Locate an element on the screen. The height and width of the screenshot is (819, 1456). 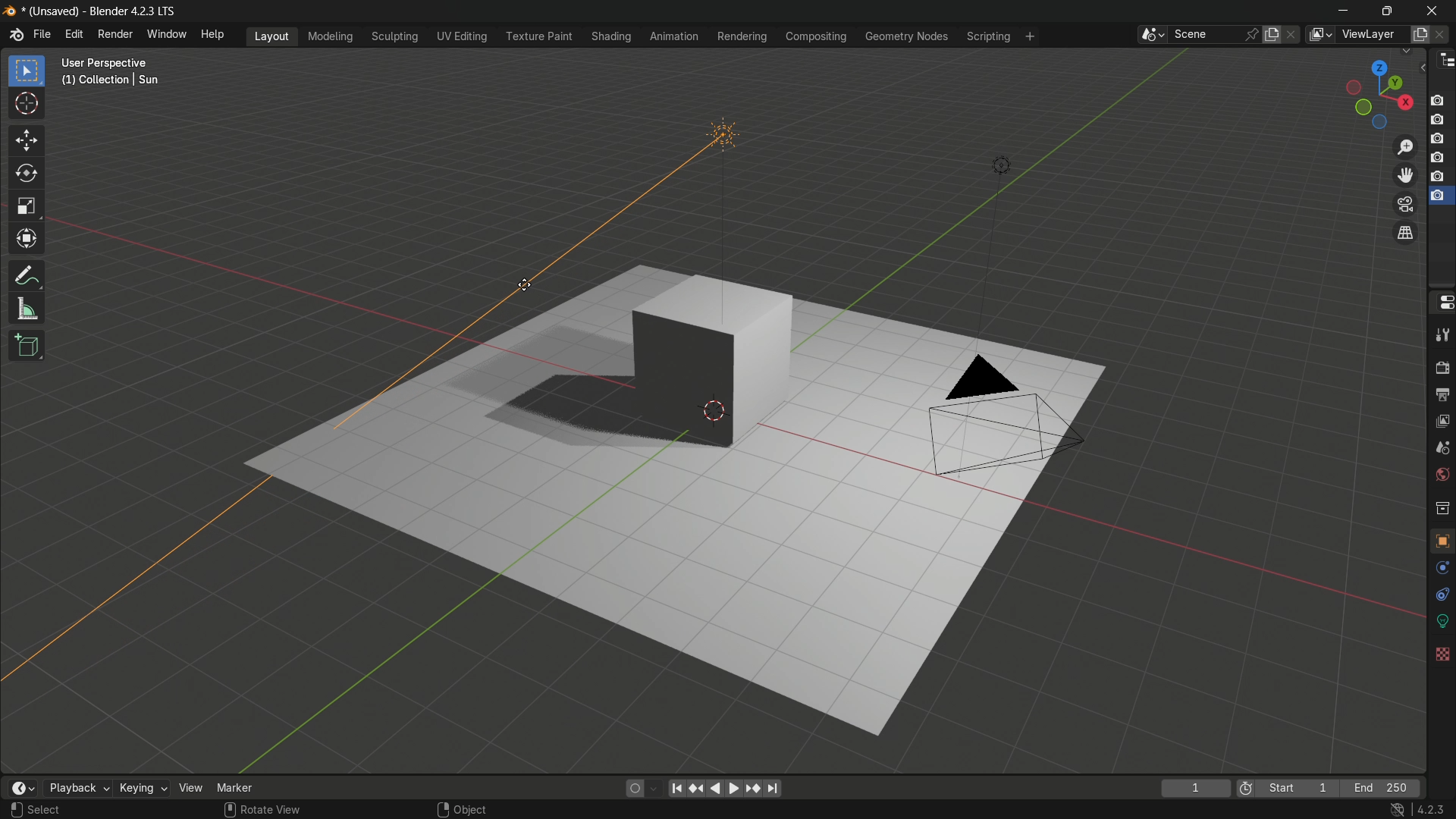
modeling is located at coordinates (329, 35).